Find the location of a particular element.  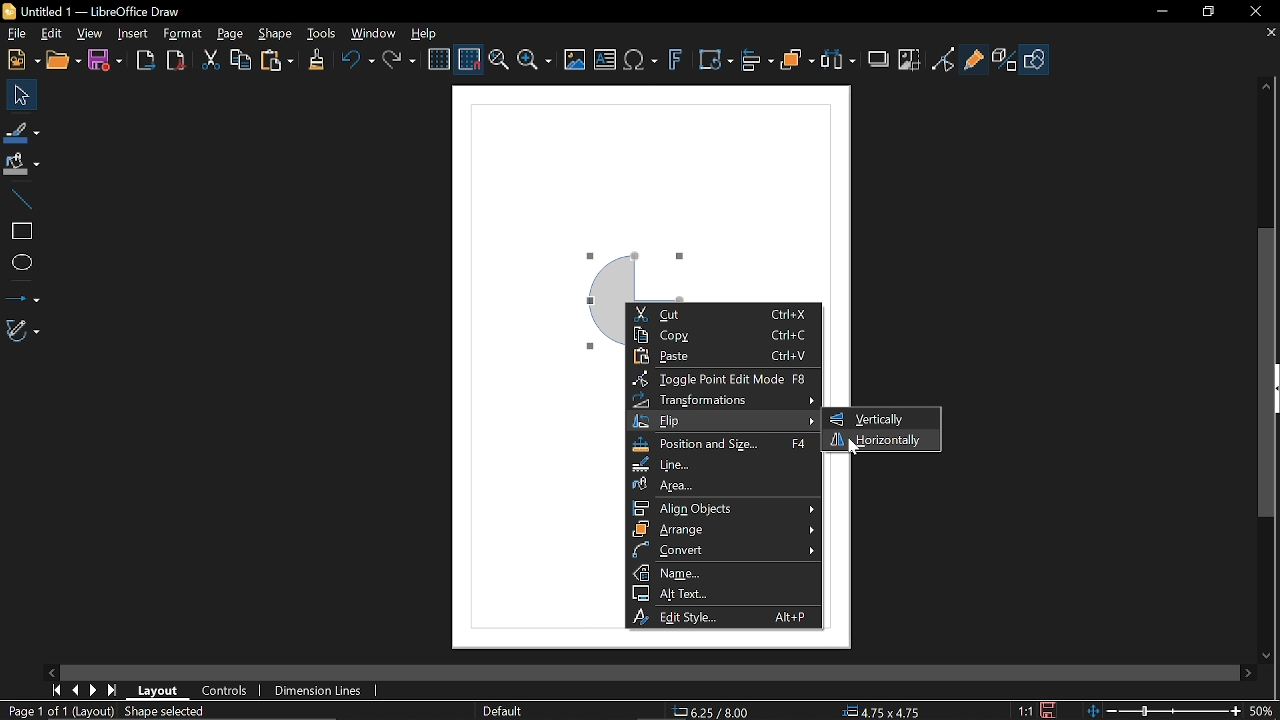

Display grid is located at coordinates (439, 60).